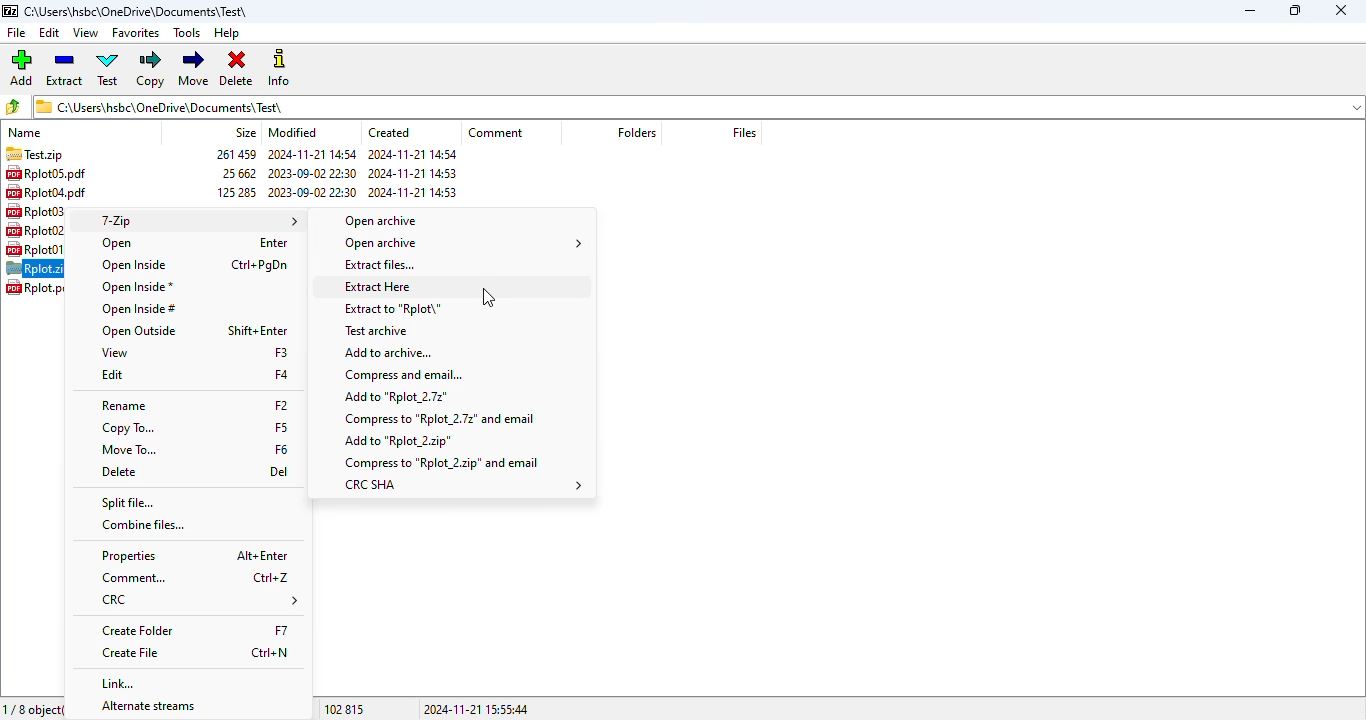 This screenshot has width=1366, height=720. Describe the element at coordinates (147, 706) in the screenshot. I see `alternate streams` at that location.